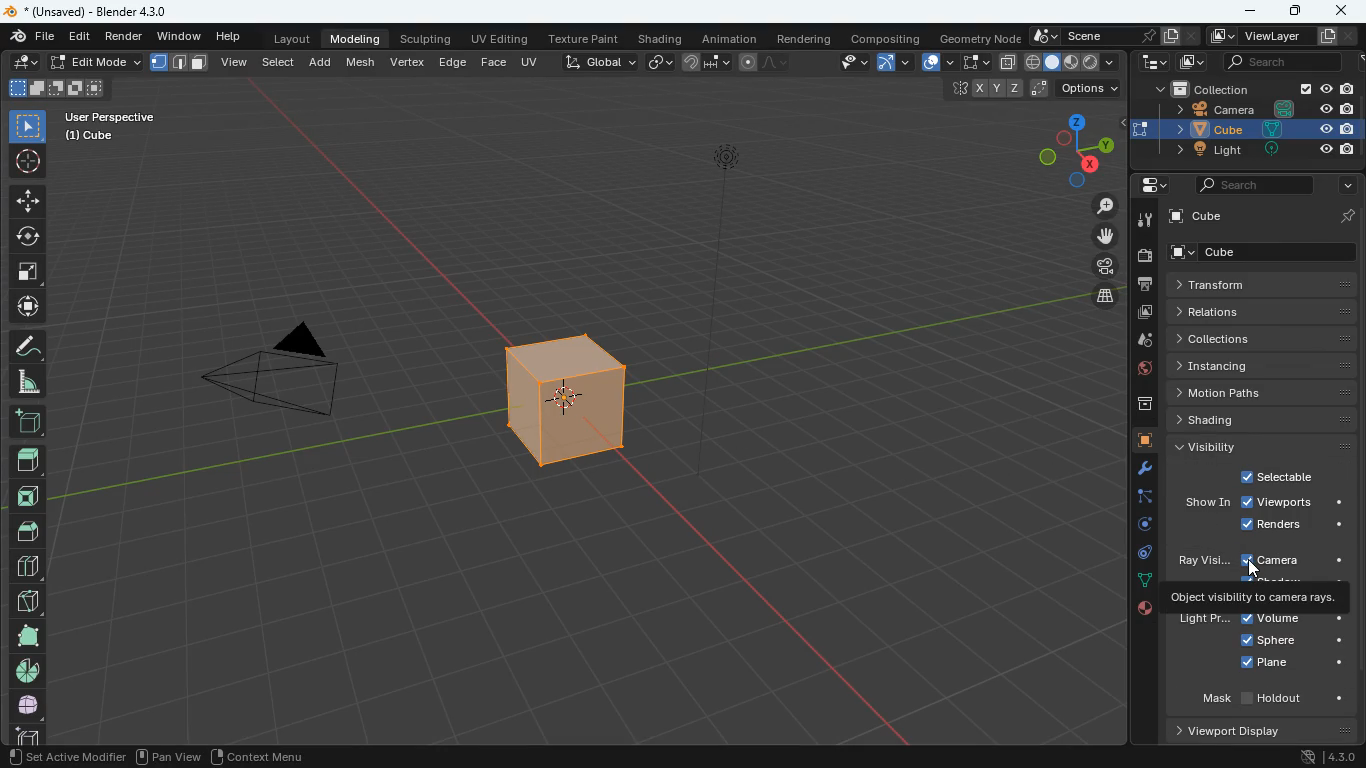 The height and width of the screenshot is (768, 1366). What do you see at coordinates (706, 63) in the screenshot?
I see `join` at bounding box center [706, 63].